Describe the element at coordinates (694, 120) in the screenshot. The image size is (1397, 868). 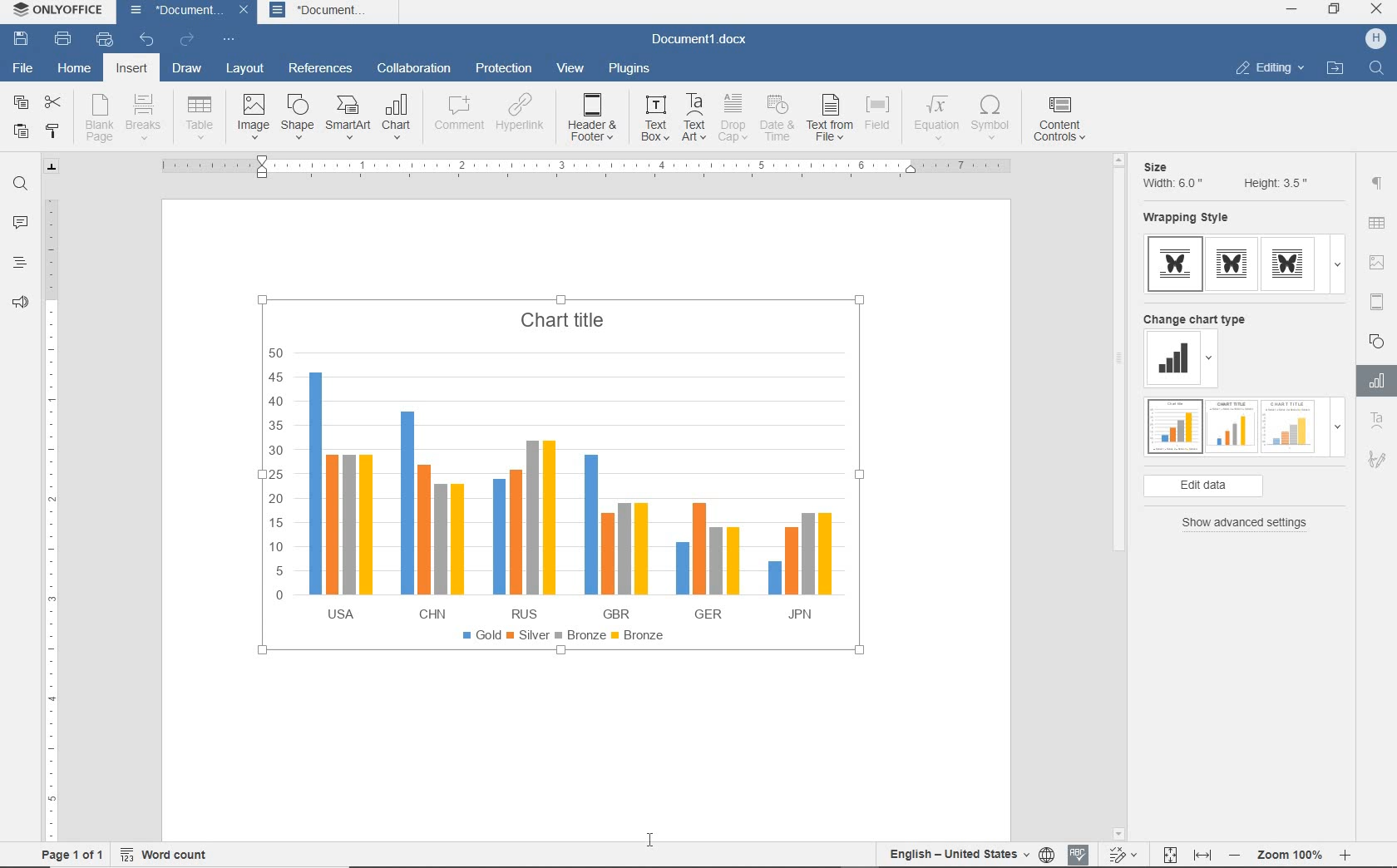
I see `text art` at that location.